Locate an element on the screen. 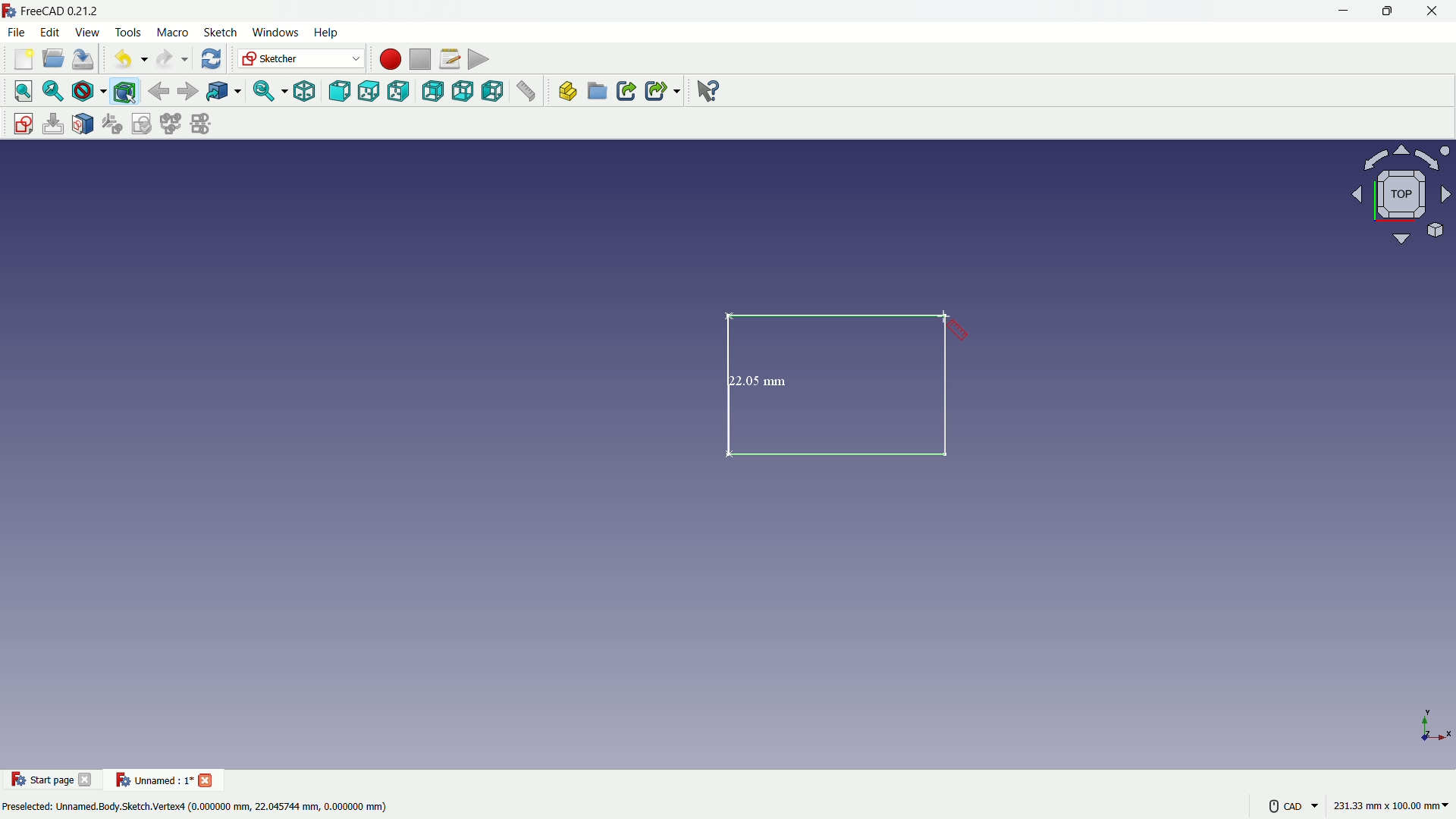 The height and width of the screenshot is (819, 1456). cursor is located at coordinates (955, 325).